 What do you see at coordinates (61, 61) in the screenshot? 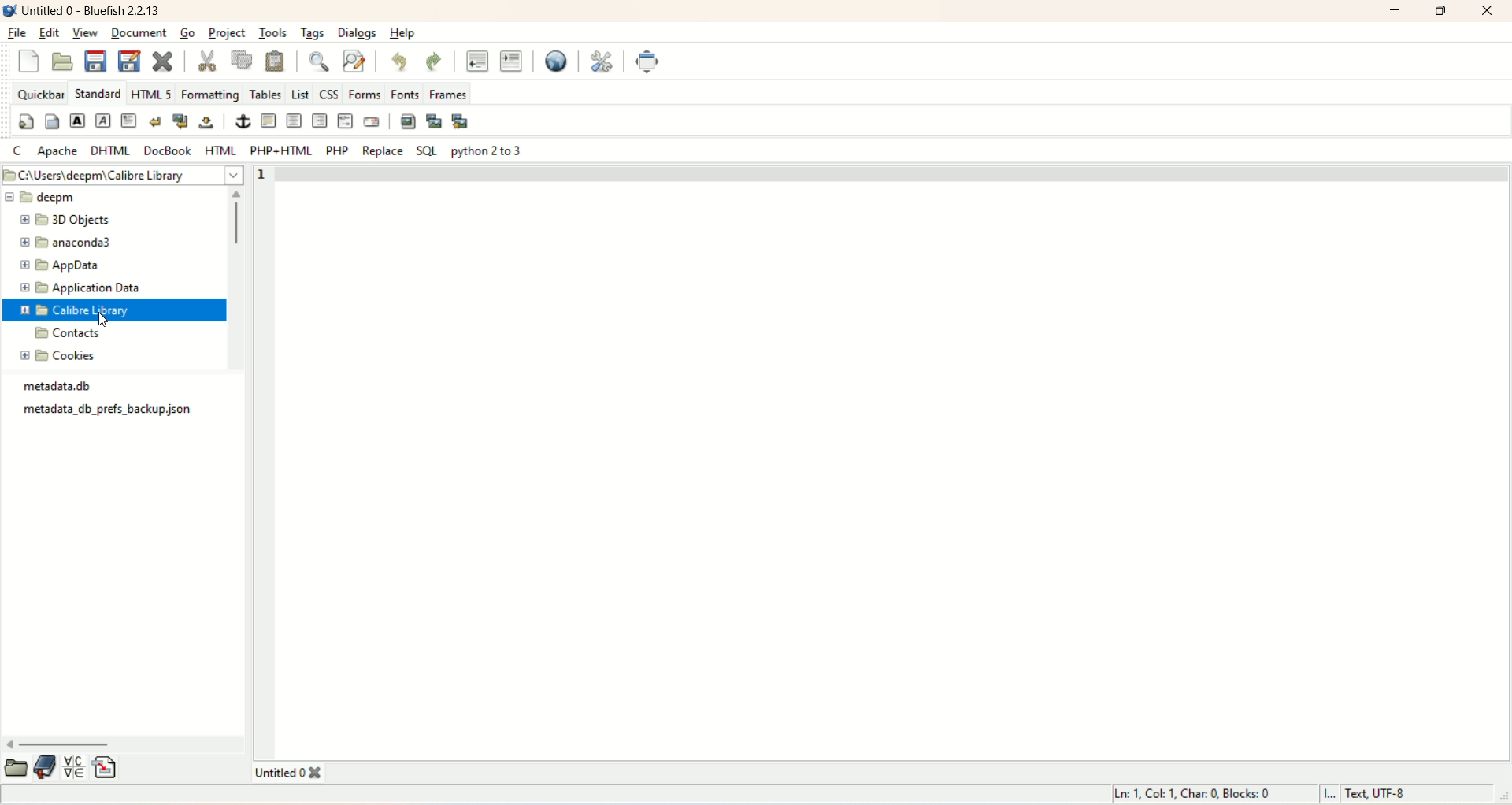
I see `open` at bounding box center [61, 61].